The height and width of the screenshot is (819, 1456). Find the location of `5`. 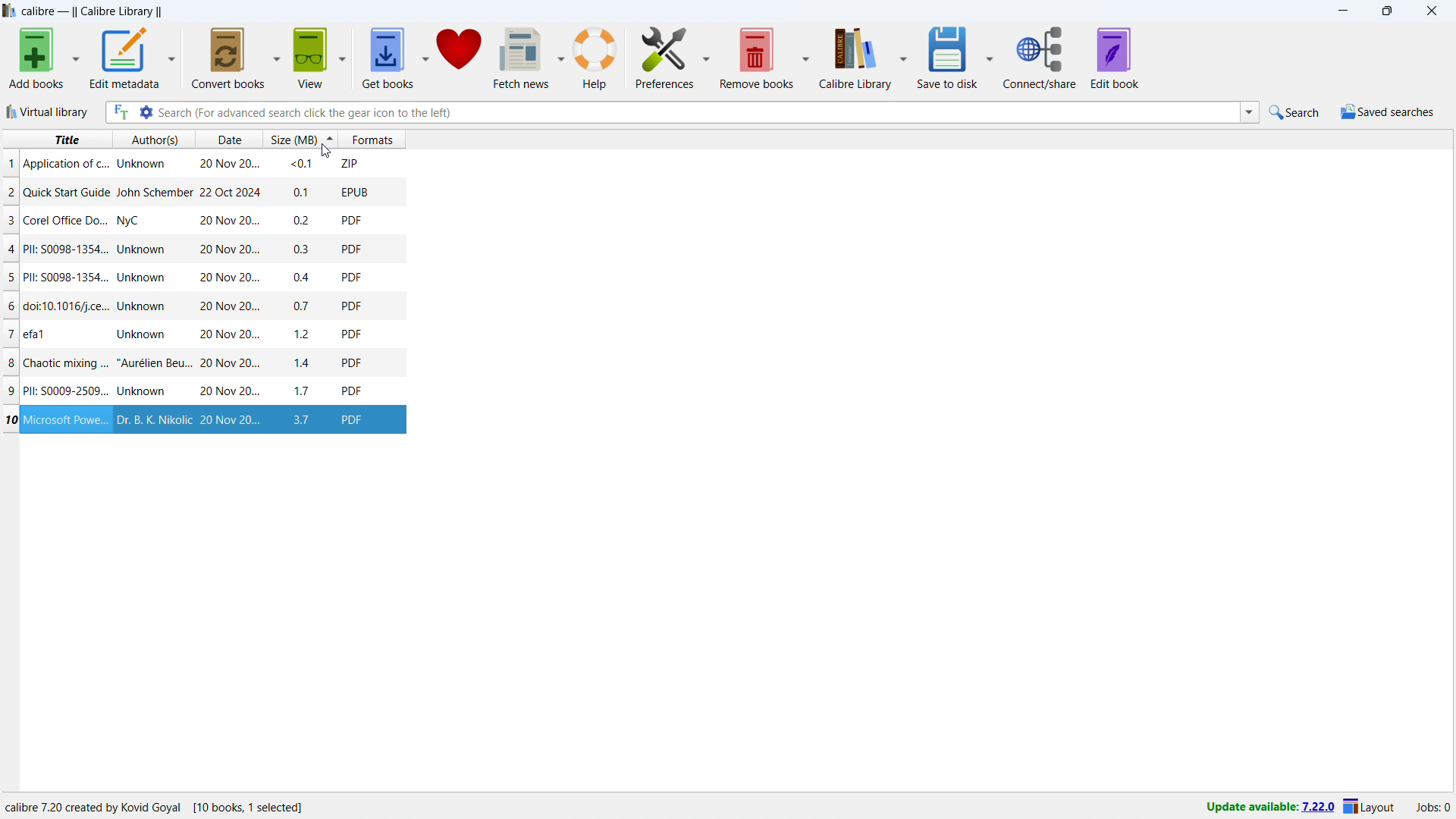

5 is located at coordinates (9, 278).